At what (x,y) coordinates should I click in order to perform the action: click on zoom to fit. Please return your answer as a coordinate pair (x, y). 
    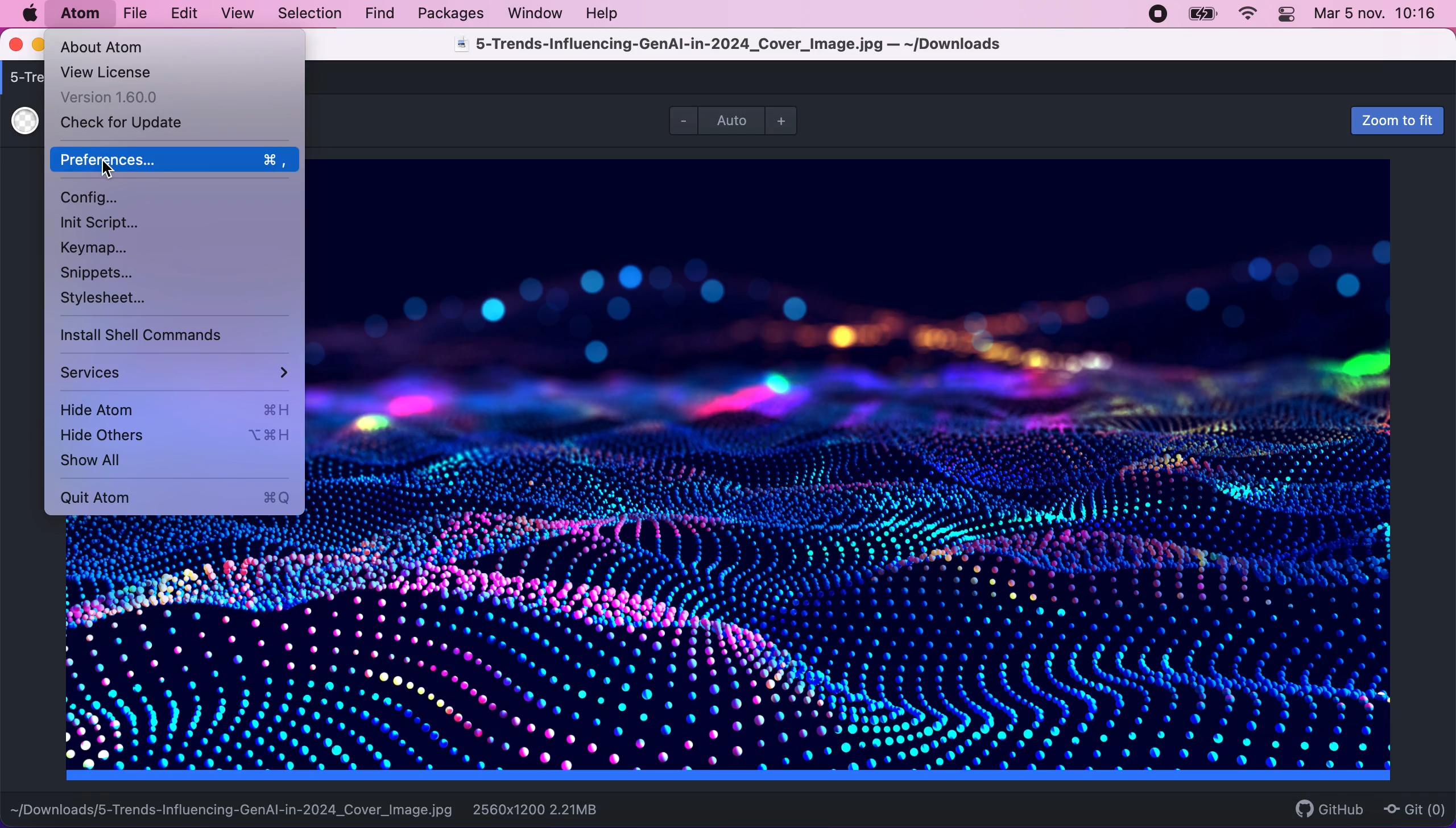
    Looking at the image, I should click on (1391, 121).